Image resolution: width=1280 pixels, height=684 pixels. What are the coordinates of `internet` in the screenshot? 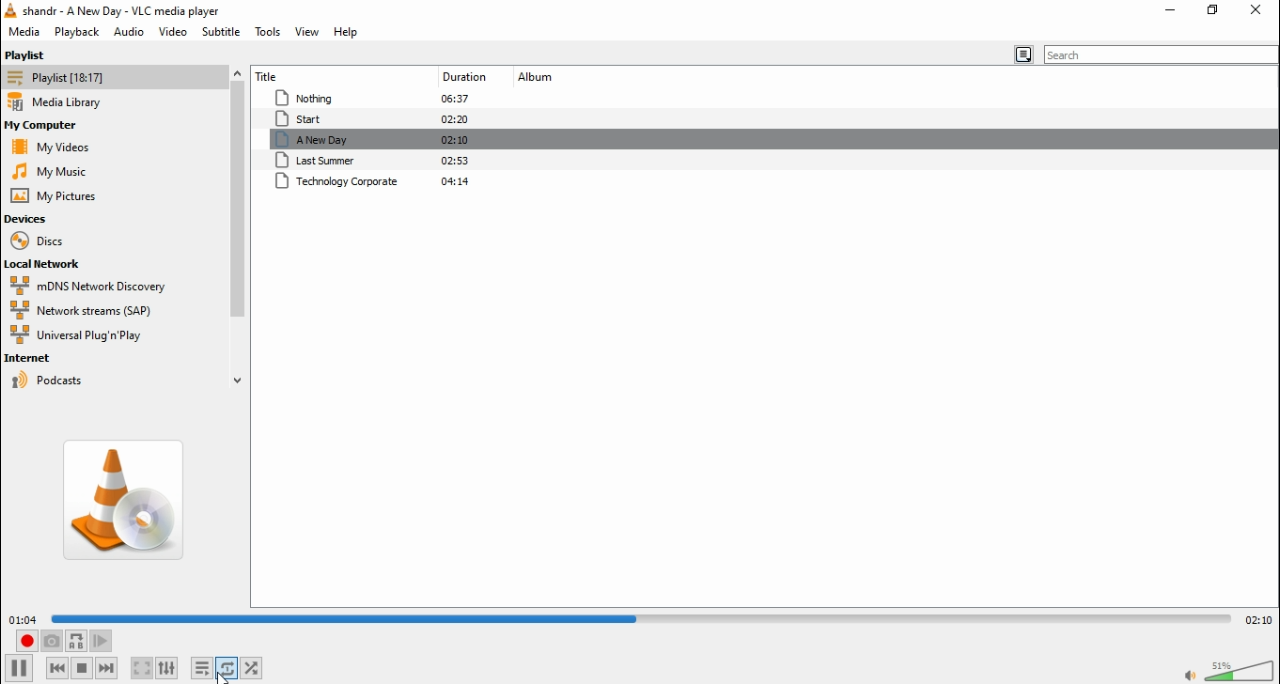 It's located at (72, 358).